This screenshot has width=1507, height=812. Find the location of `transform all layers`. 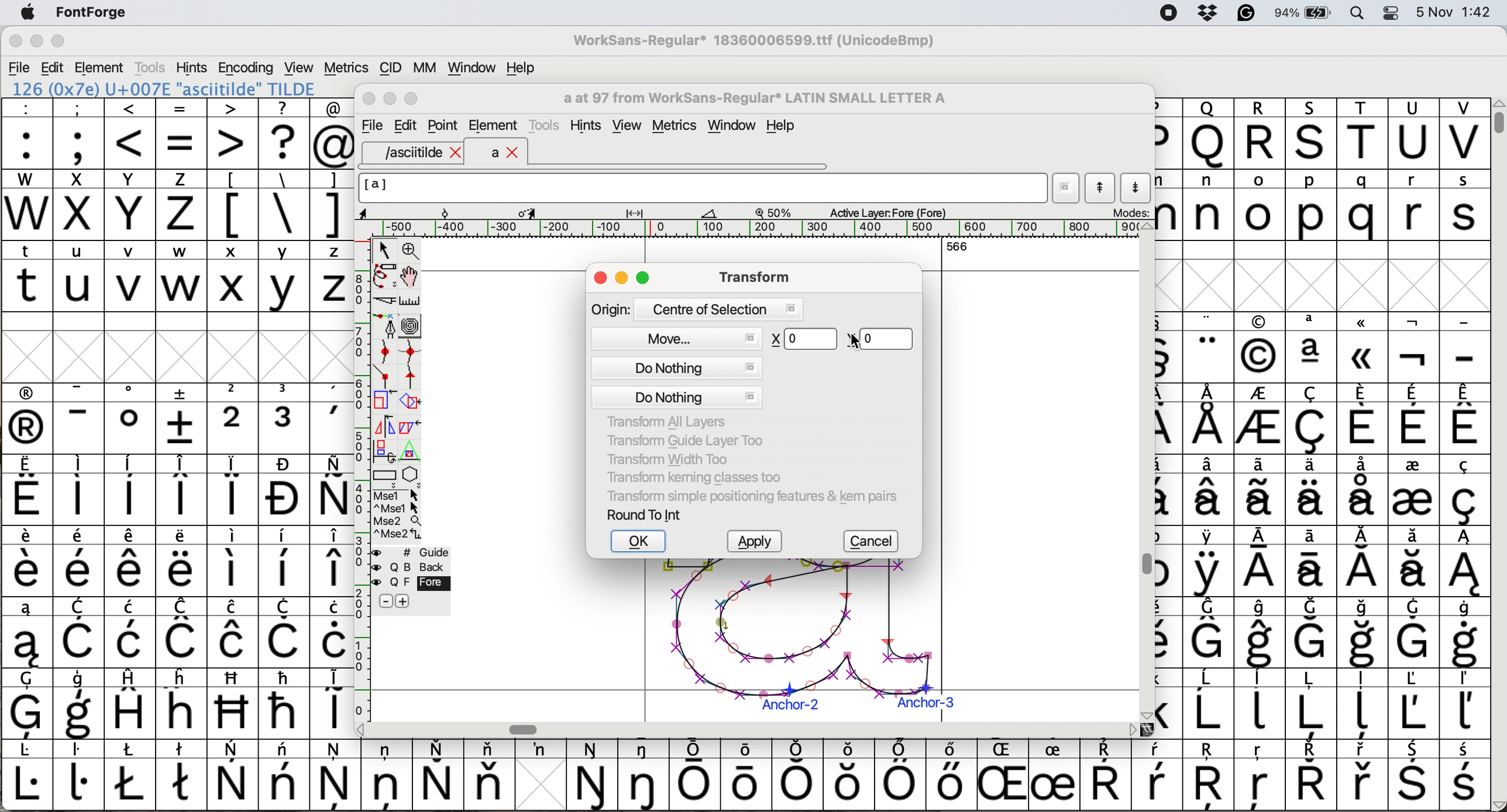

transform all layers is located at coordinates (670, 422).